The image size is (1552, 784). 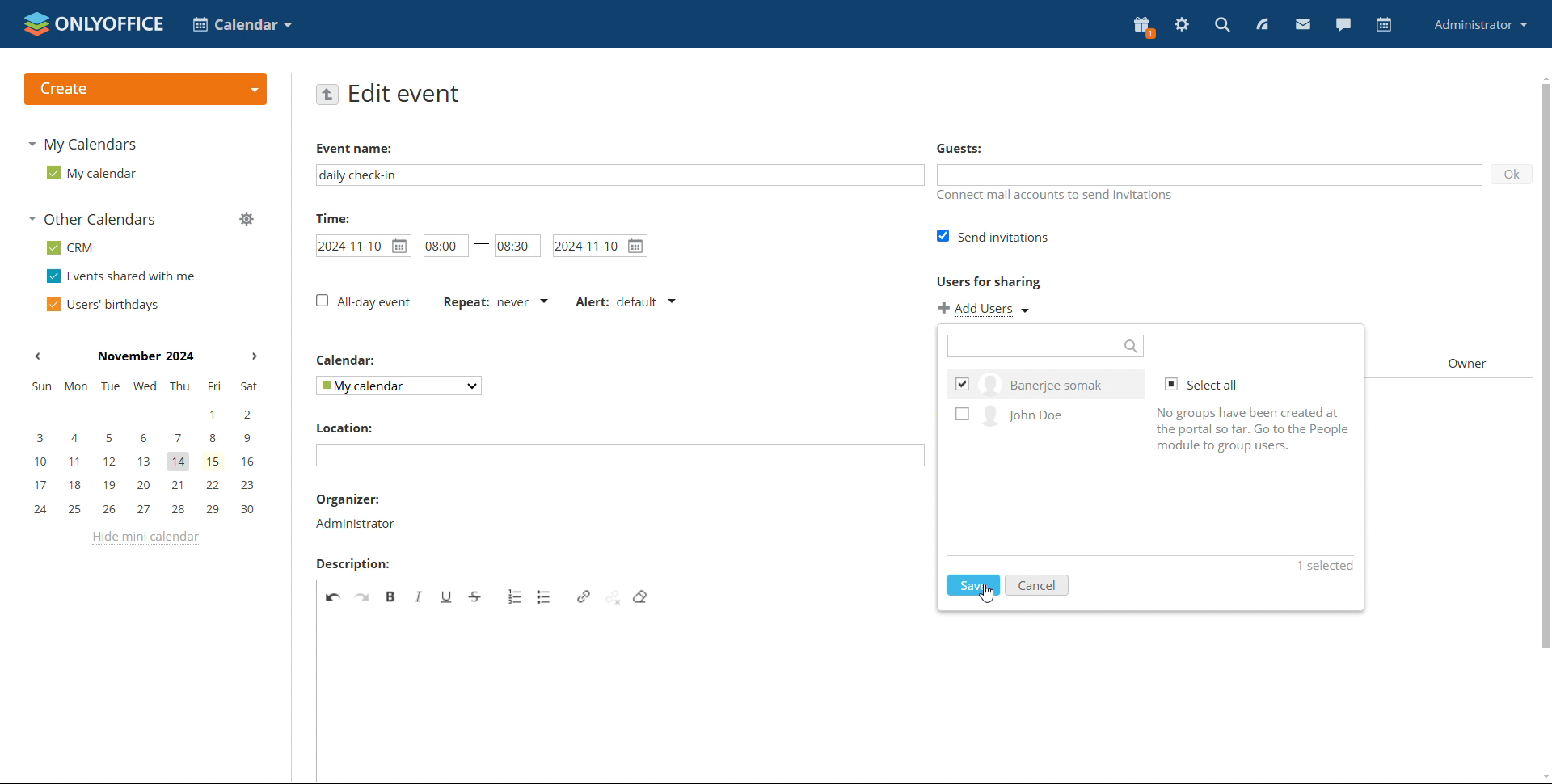 What do you see at coordinates (334, 595) in the screenshot?
I see `undo` at bounding box center [334, 595].